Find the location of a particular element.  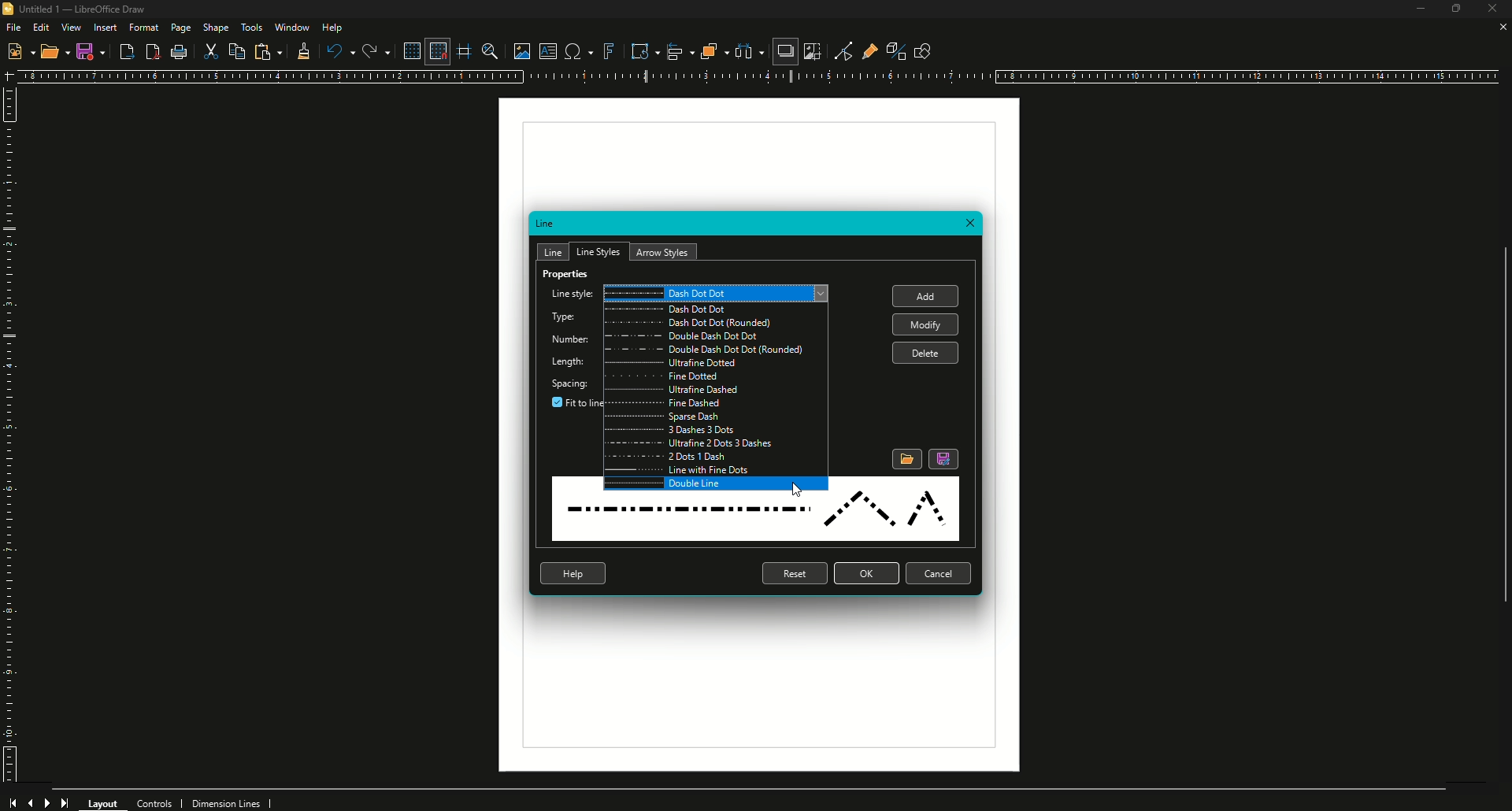

Align Objects is located at coordinates (674, 51).